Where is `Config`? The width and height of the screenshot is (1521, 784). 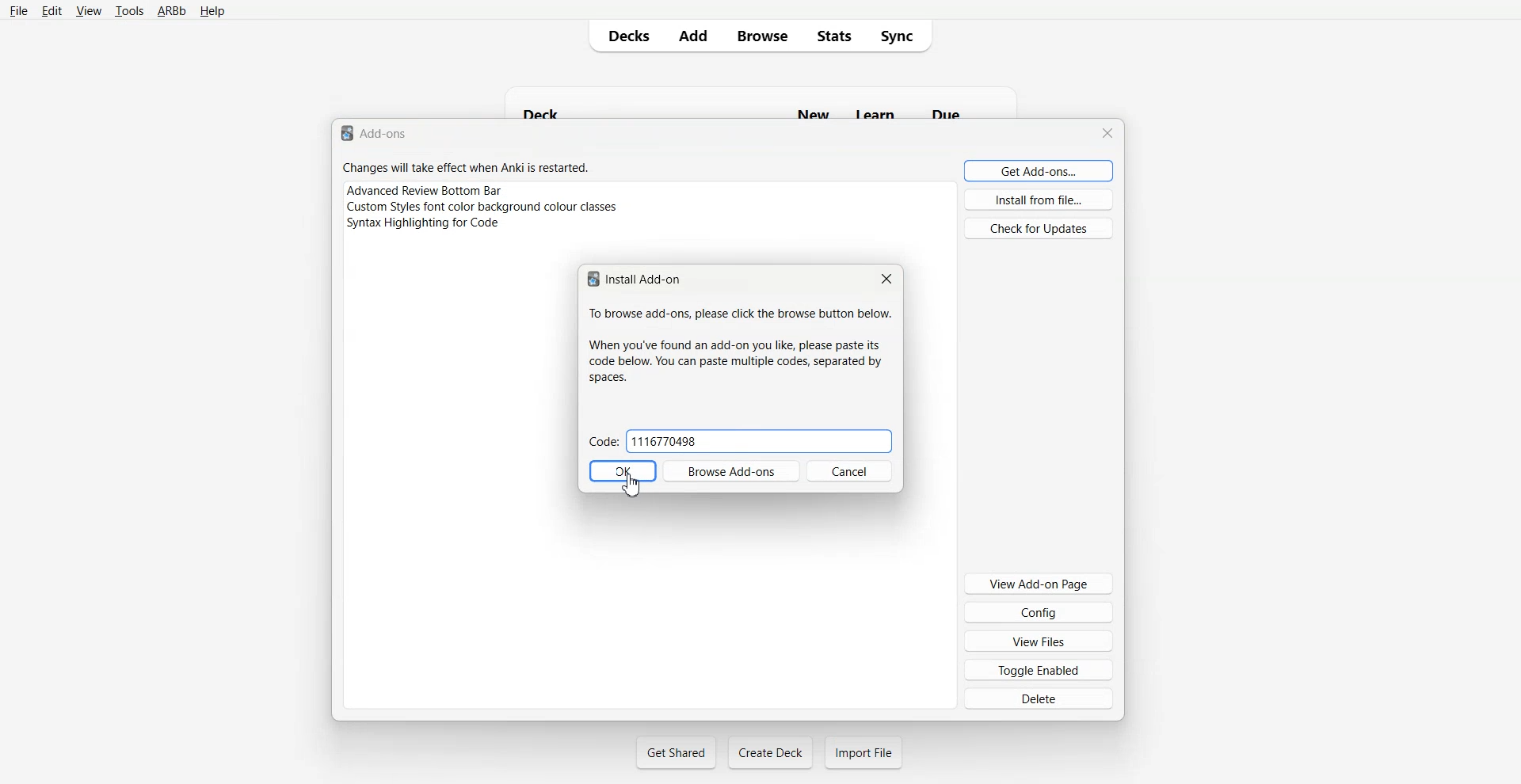
Config is located at coordinates (1040, 611).